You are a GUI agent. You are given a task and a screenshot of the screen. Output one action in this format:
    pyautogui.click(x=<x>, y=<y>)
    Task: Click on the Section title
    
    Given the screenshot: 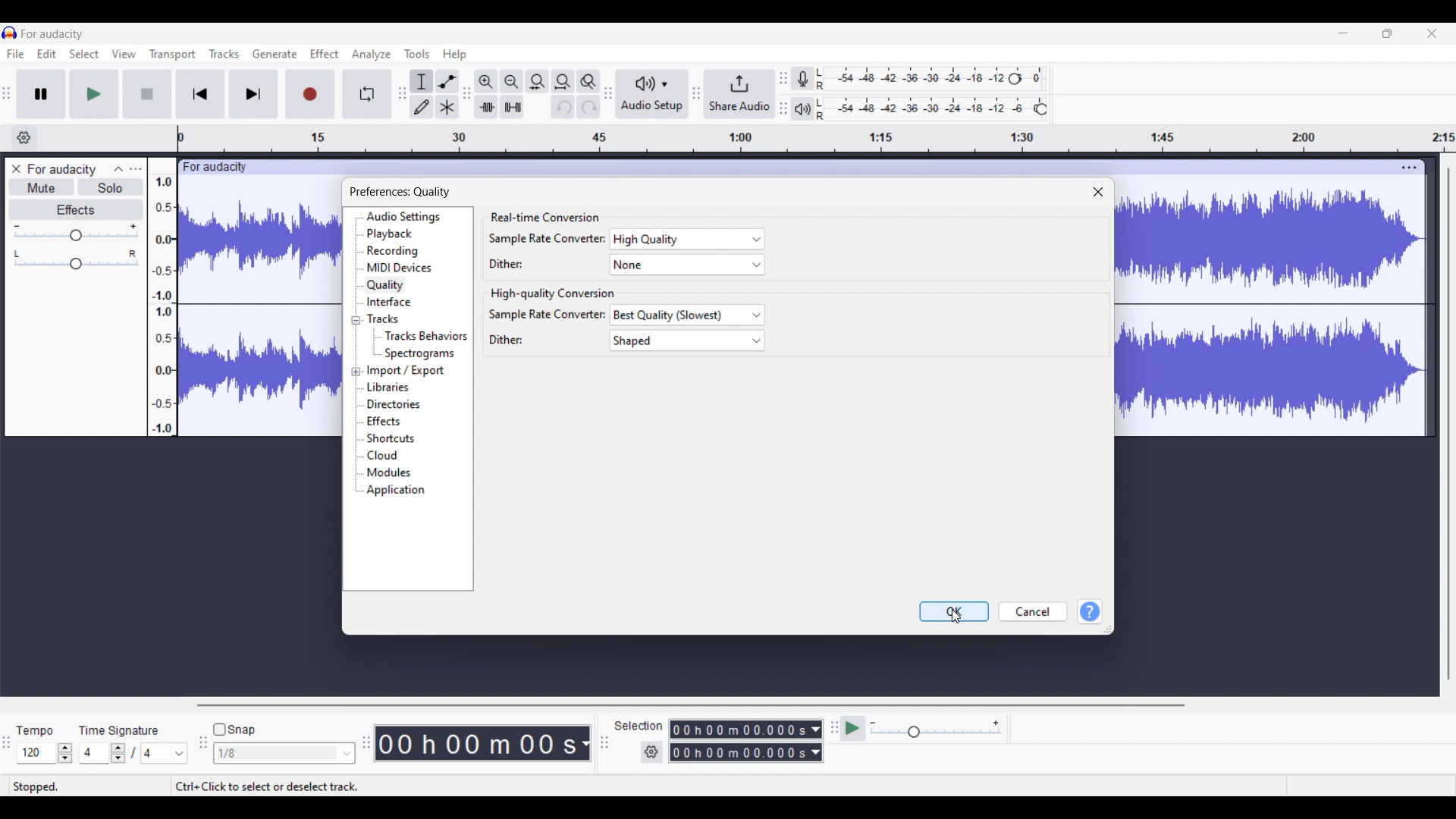 What is the action you would take?
    pyautogui.click(x=544, y=218)
    